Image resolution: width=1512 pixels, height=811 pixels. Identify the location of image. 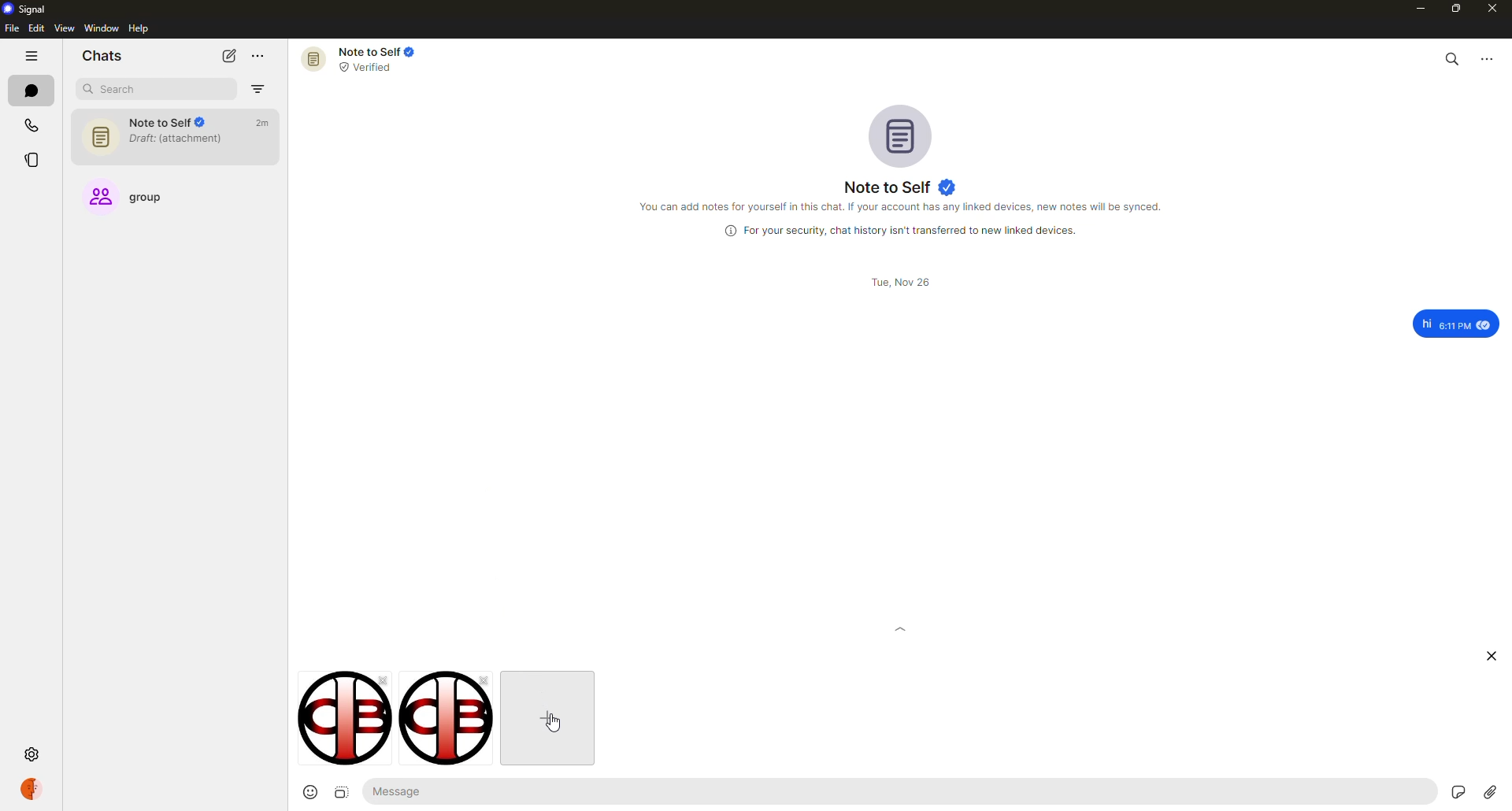
(332, 720).